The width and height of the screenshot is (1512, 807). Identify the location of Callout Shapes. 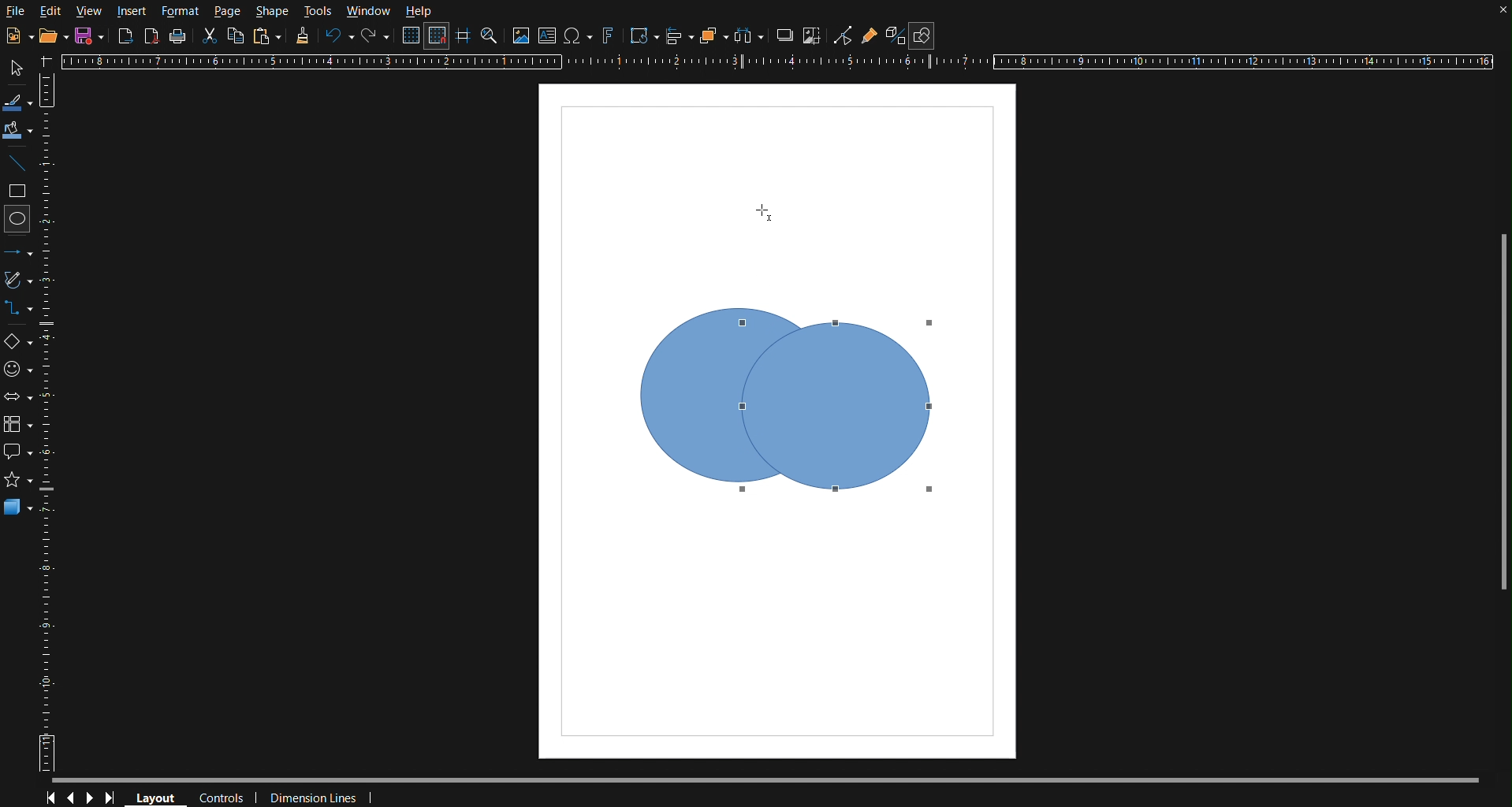
(18, 449).